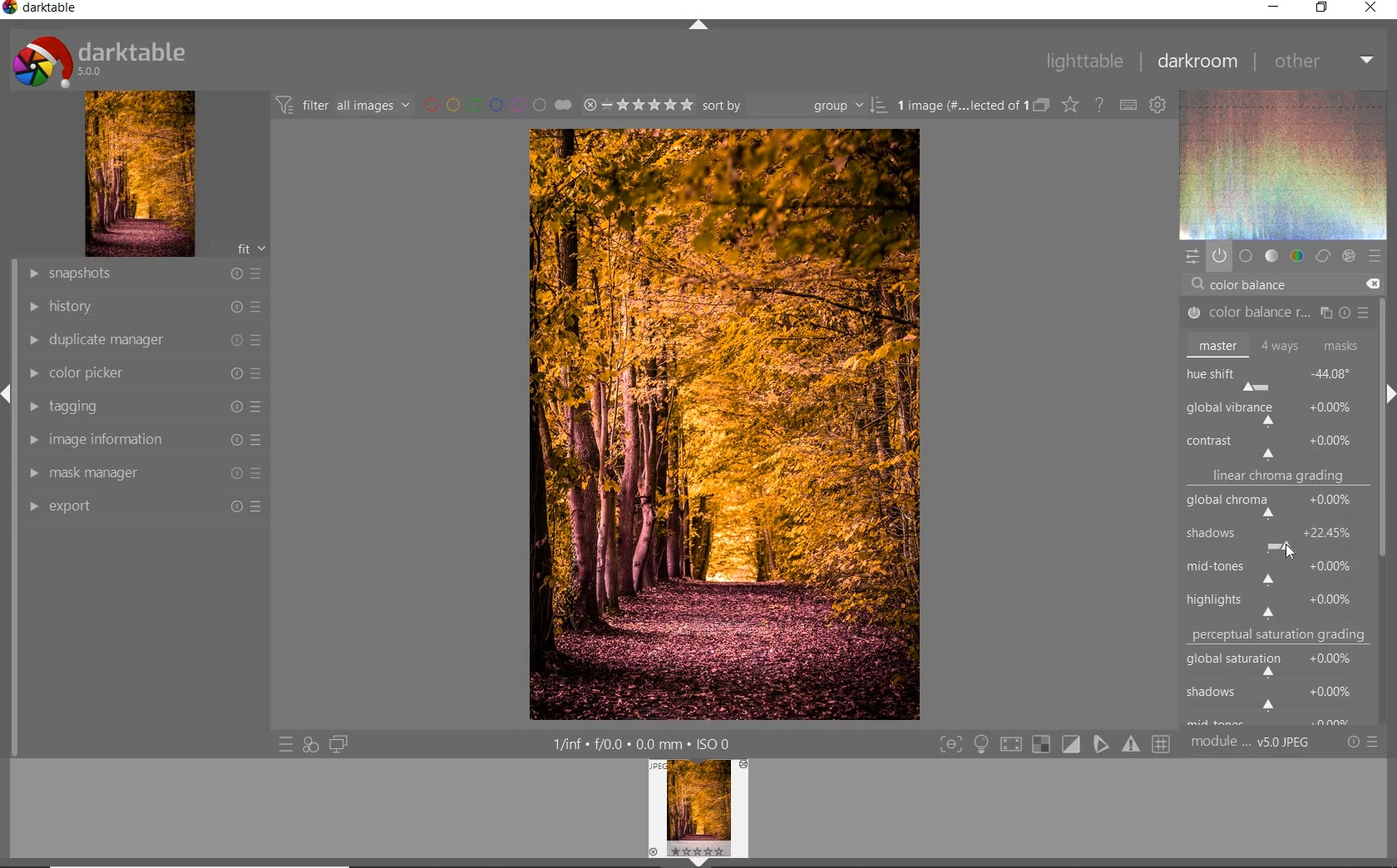  I want to click on change type of overlay, so click(1069, 106).